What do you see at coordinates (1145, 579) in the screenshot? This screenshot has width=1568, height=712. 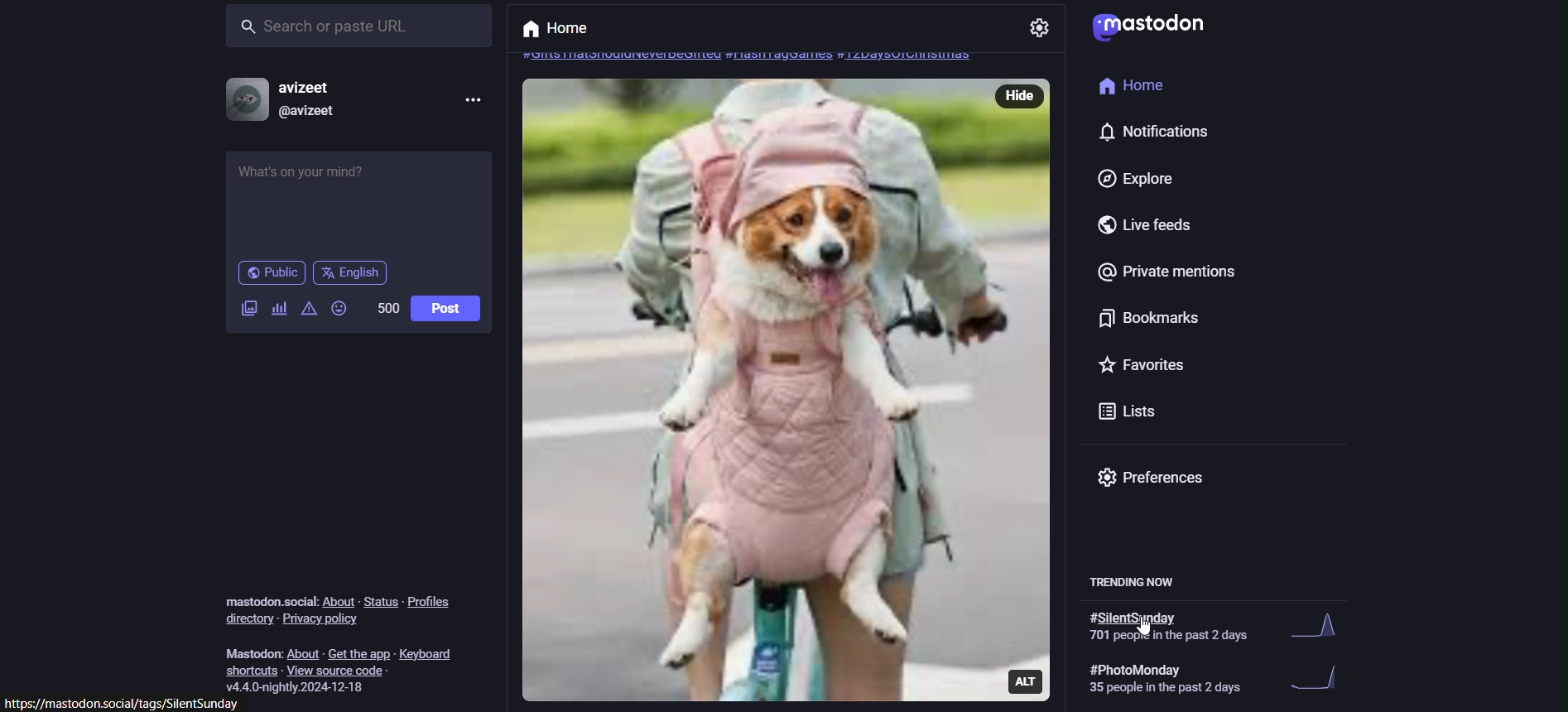 I see `Trending now` at bounding box center [1145, 579].